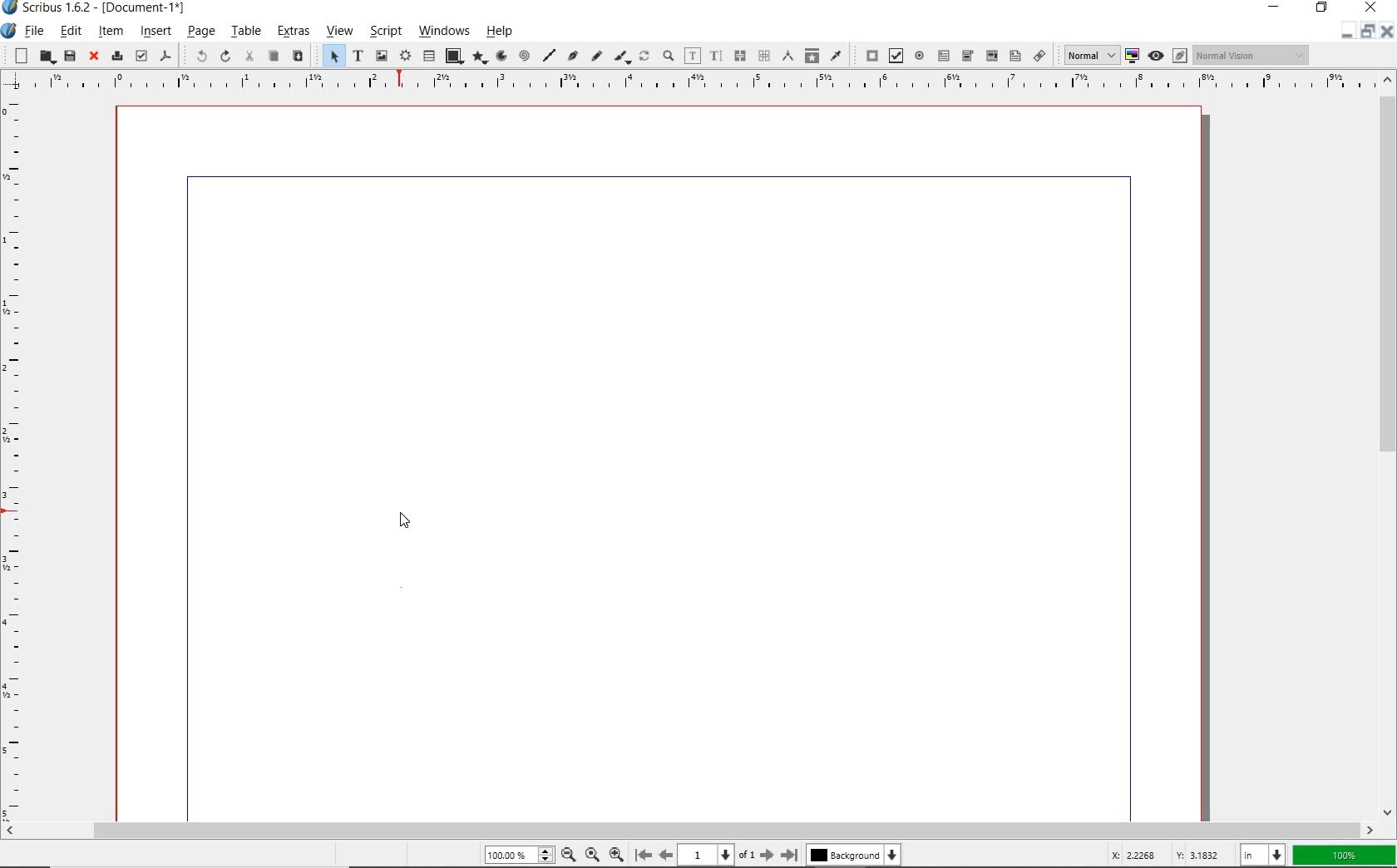 This screenshot has height=868, width=1397. Describe the element at coordinates (1366, 32) in the screenshot. I see `Minimize` at that location.